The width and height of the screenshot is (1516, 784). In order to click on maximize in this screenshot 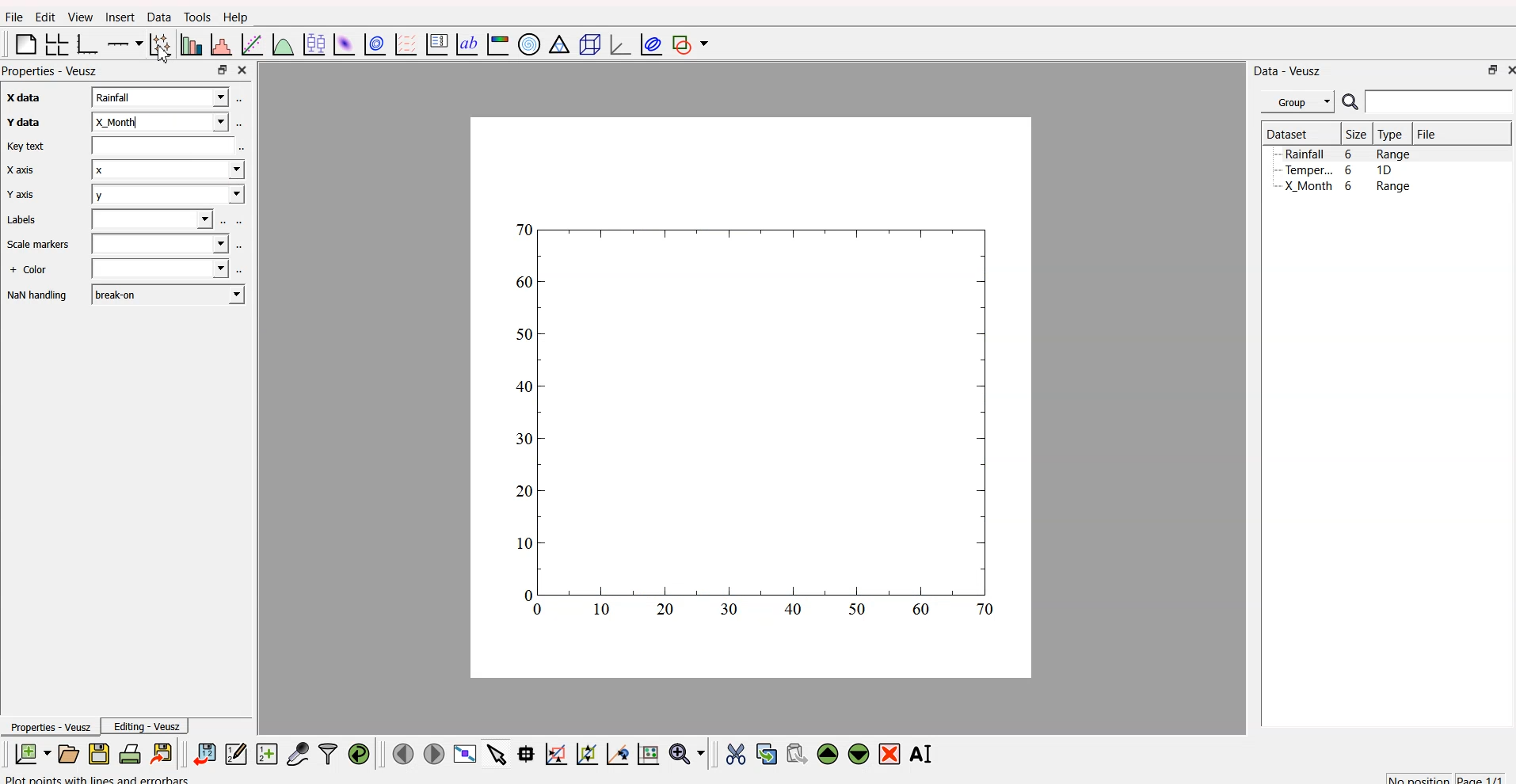, I will do `click(1488, 72)`.